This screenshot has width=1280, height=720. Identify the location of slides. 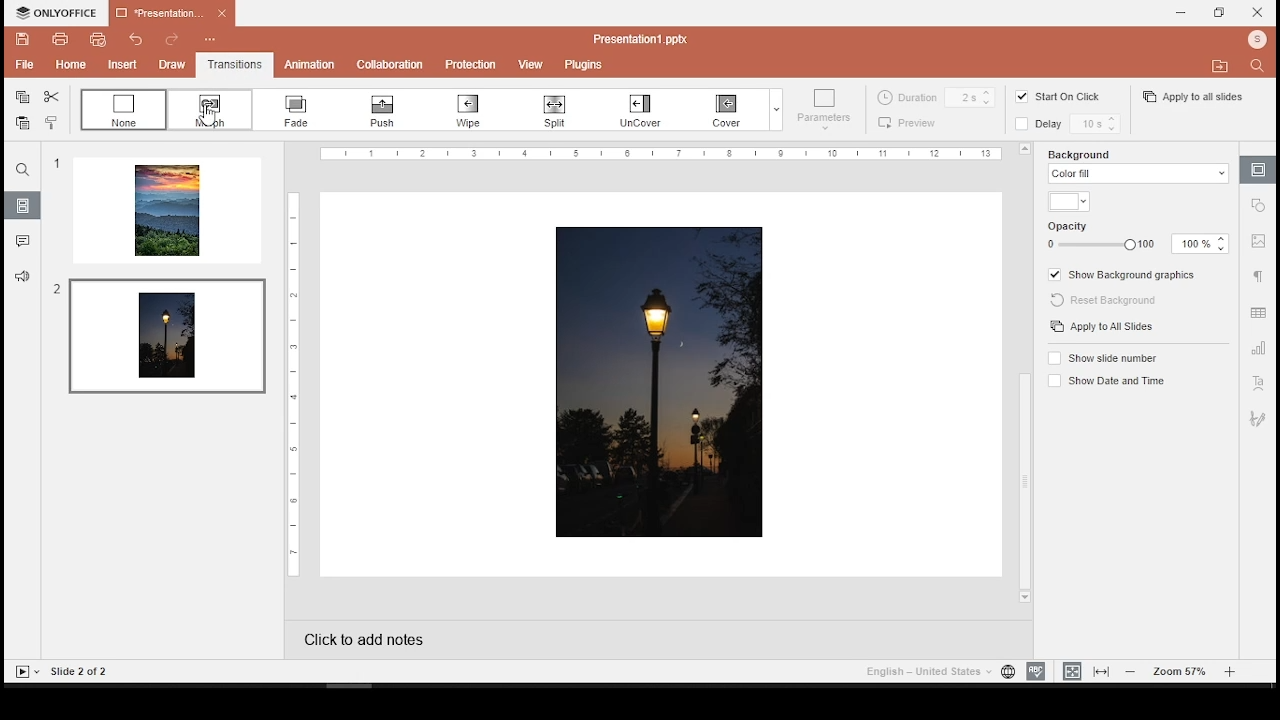
(23, 206).